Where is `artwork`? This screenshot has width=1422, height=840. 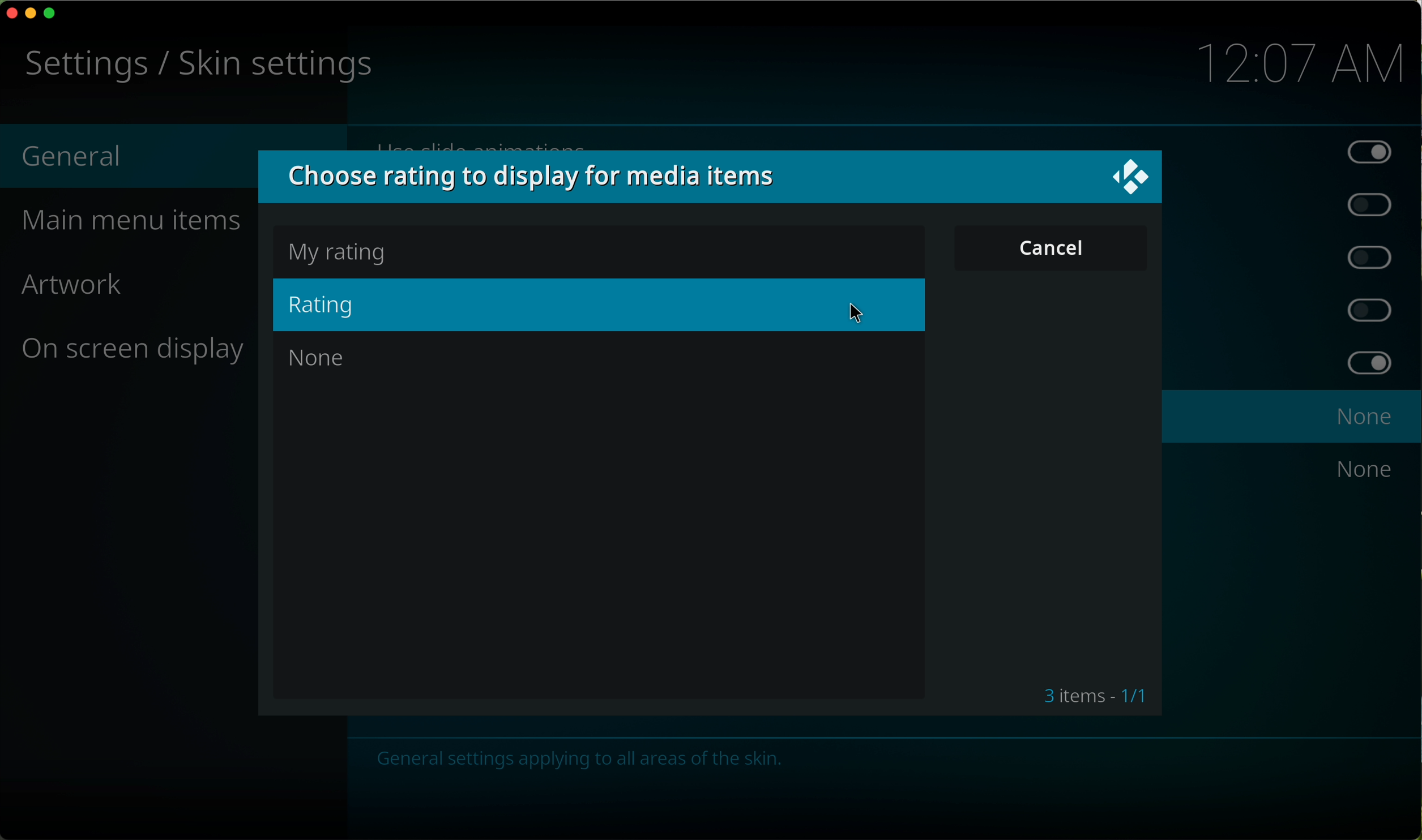
artwork is located at coordinates (74, 288).